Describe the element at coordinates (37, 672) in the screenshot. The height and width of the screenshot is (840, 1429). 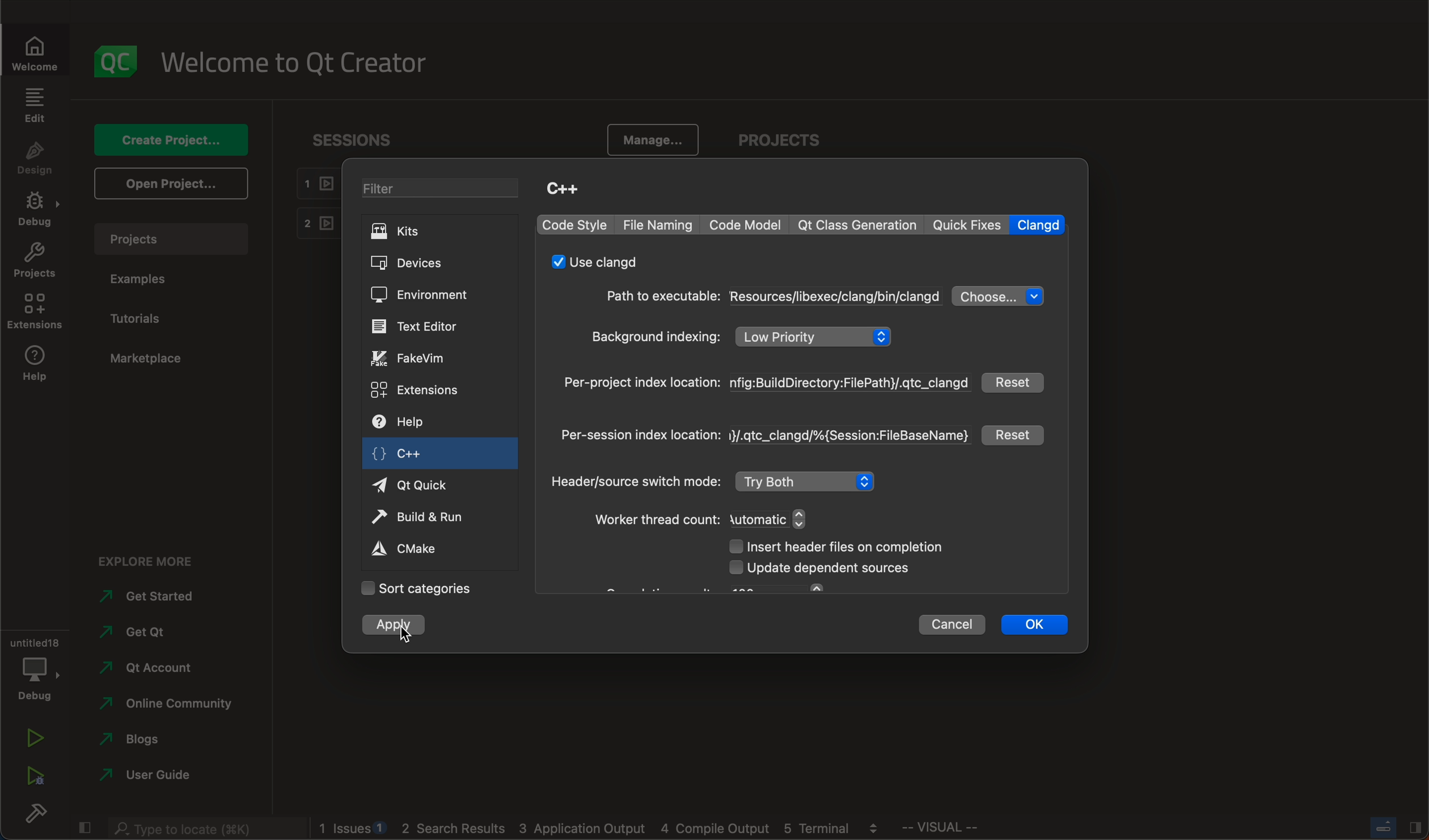
I see `debug` at that location.